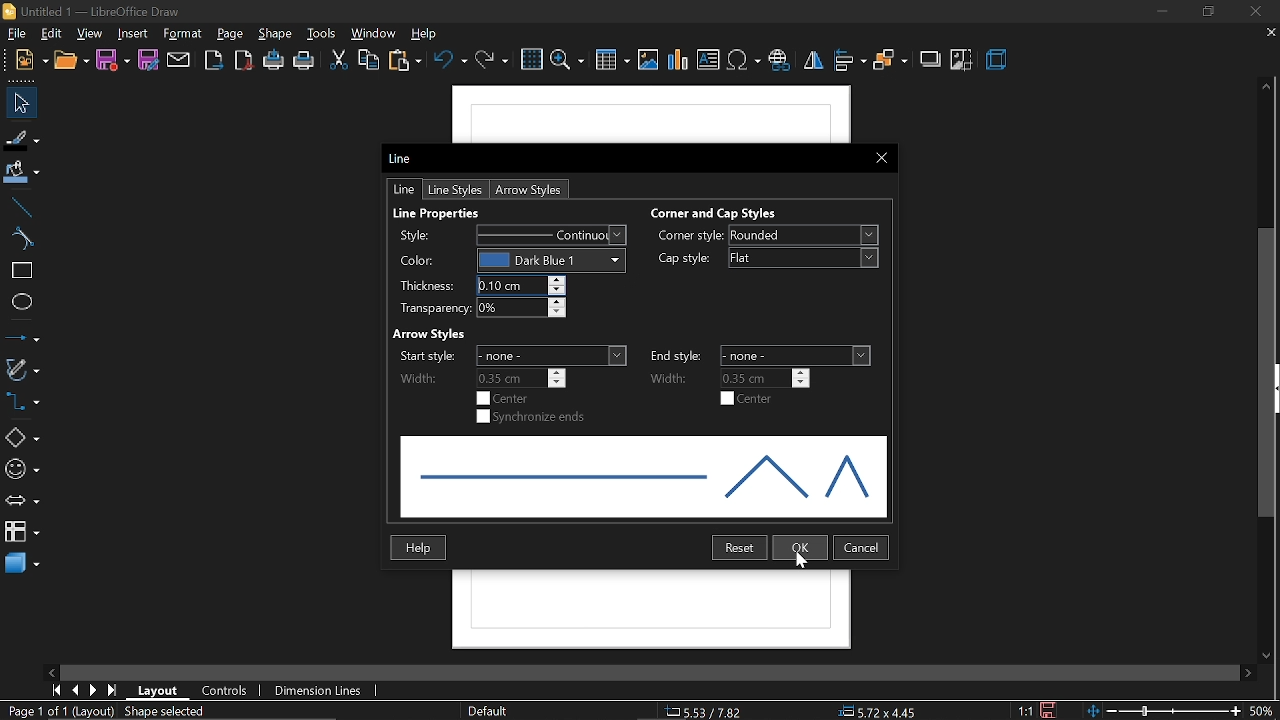 This screenshot has height=720, width=1280. Describe the element at coordinates (533, 418) in the screenshot. I see `synchronize` at that location.